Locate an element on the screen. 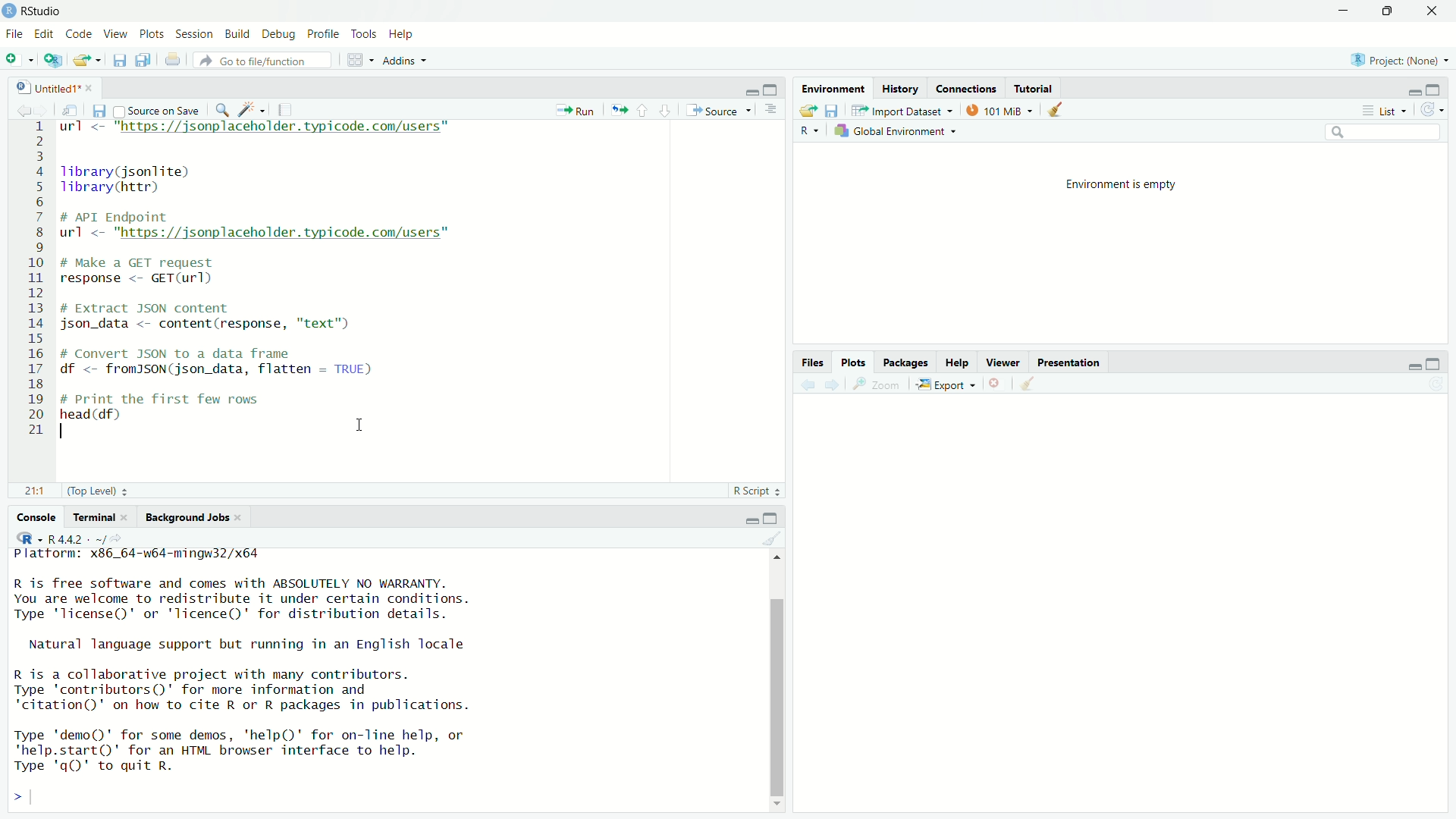 The height and width of the screenshot is (819, 1456). Minimize is located at coordinates (1410, 91).